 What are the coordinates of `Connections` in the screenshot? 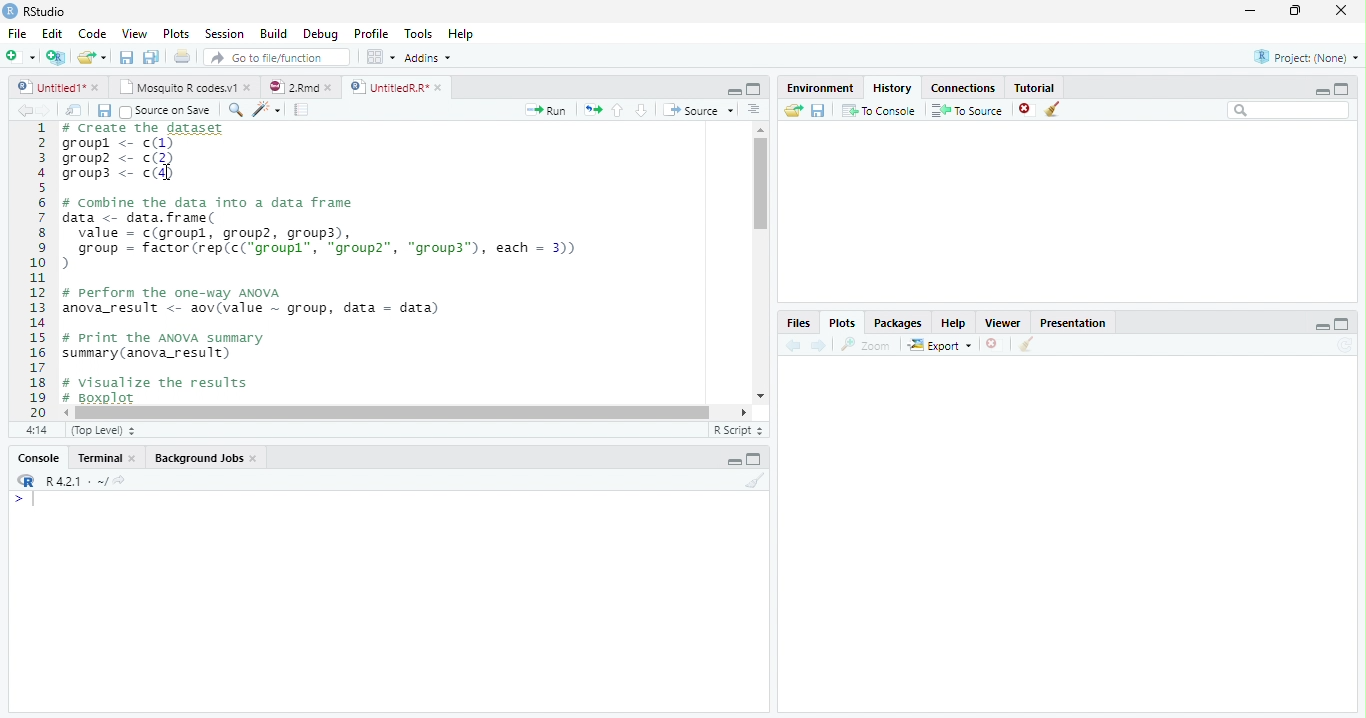 It's located at (965, 86).